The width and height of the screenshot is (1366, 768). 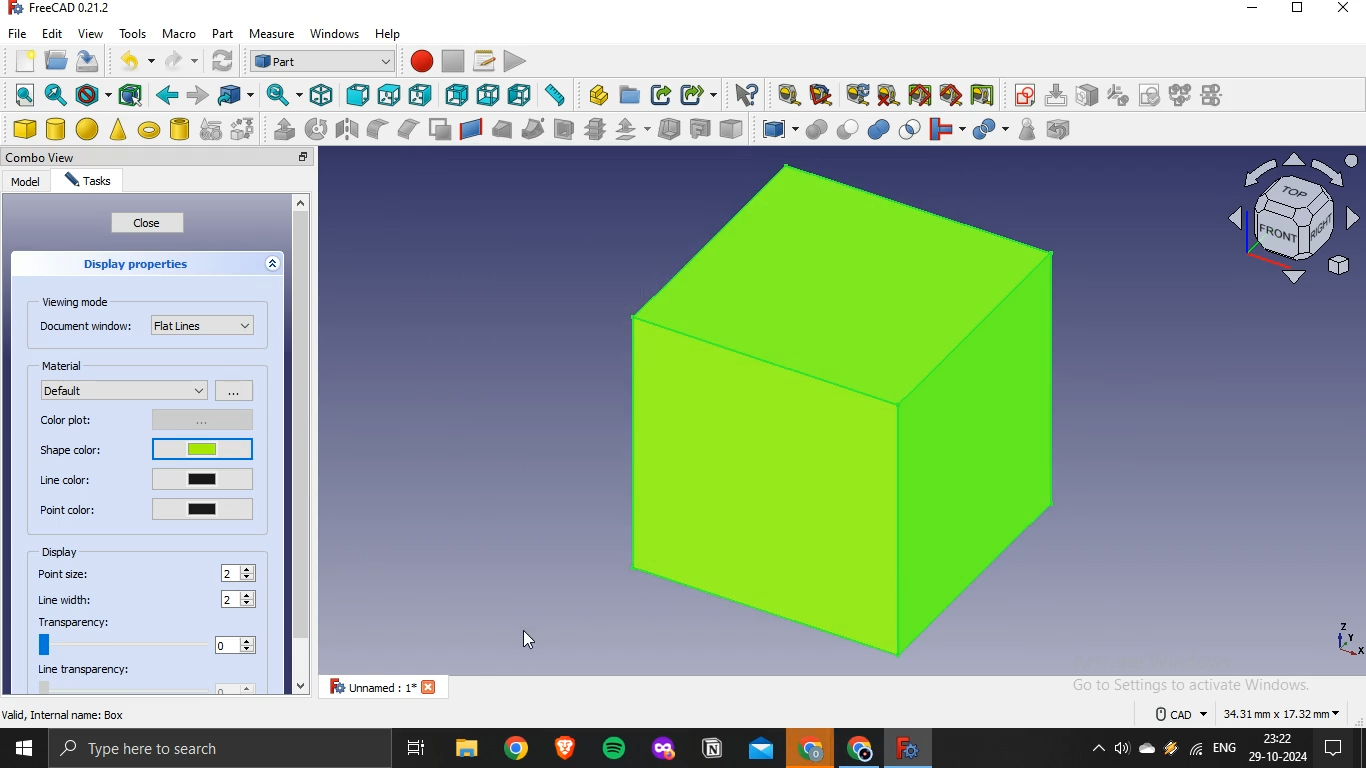 I want to click on measure distance, so click(x=555, y=94).